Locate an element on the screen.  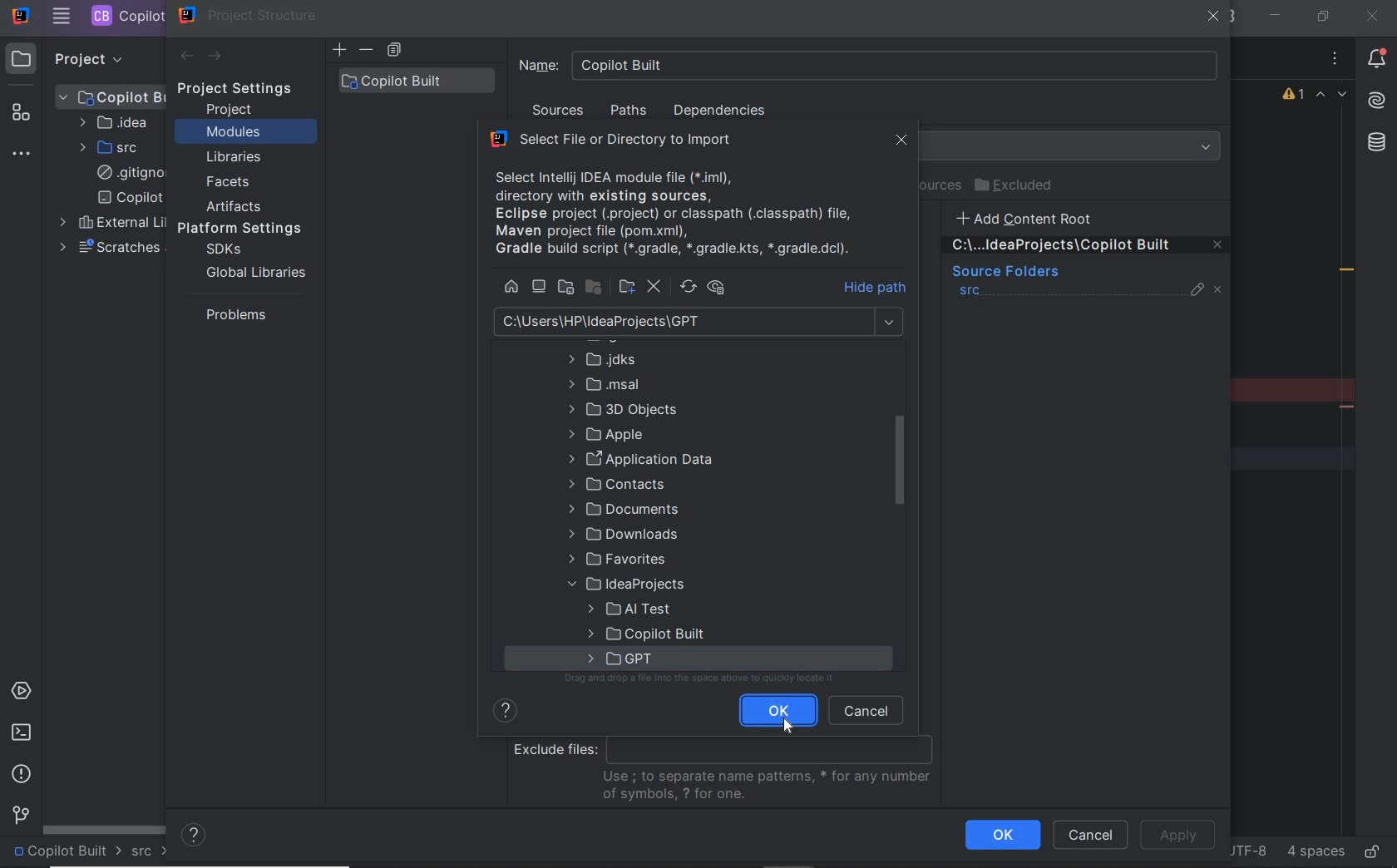
global libraries is located at coordinates (253, 272).